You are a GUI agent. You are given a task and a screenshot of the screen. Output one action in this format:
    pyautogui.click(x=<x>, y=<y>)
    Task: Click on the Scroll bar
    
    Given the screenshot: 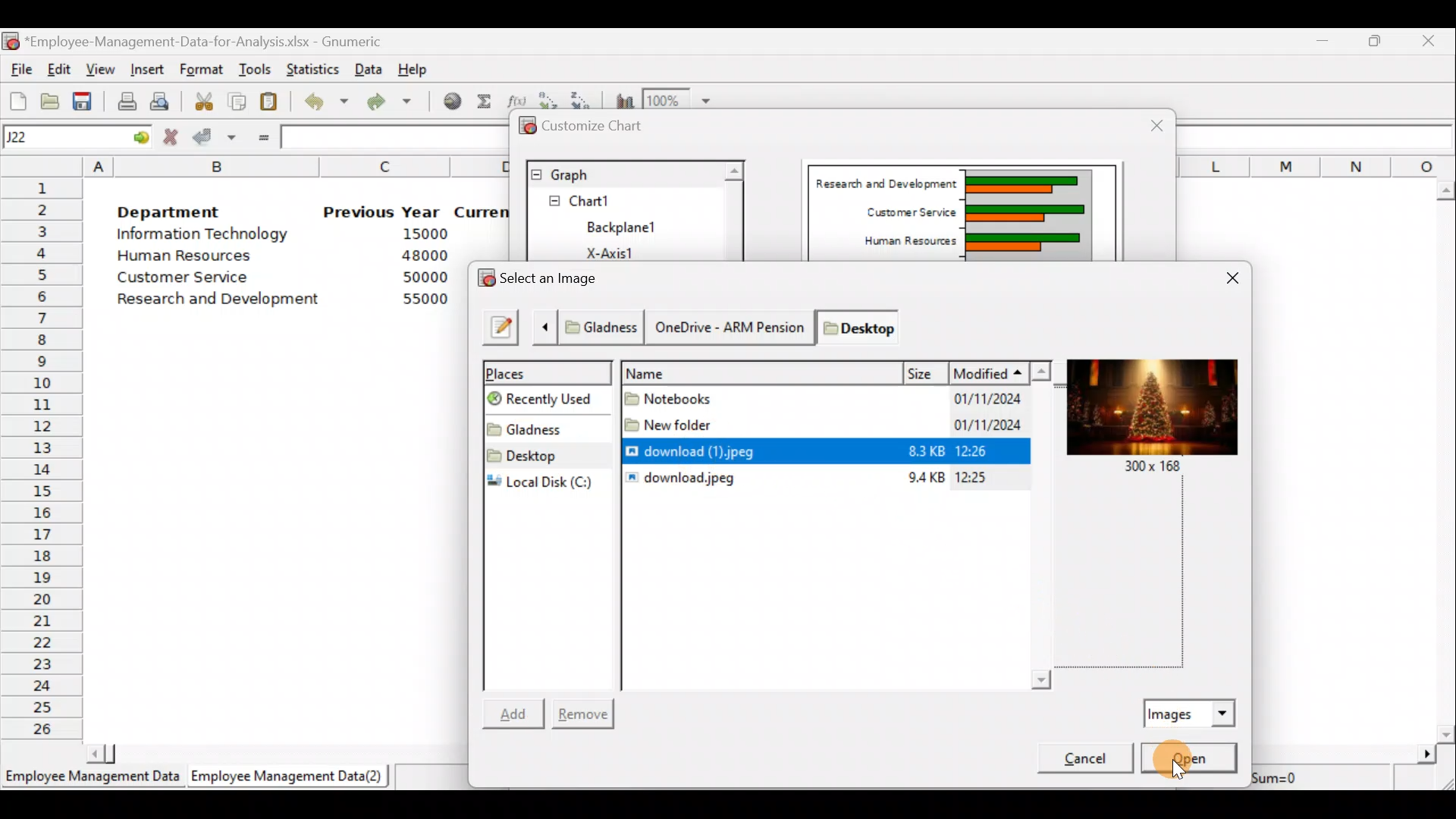 What is the action you would take?
    pyautogui.click(x=733, y=210)
    